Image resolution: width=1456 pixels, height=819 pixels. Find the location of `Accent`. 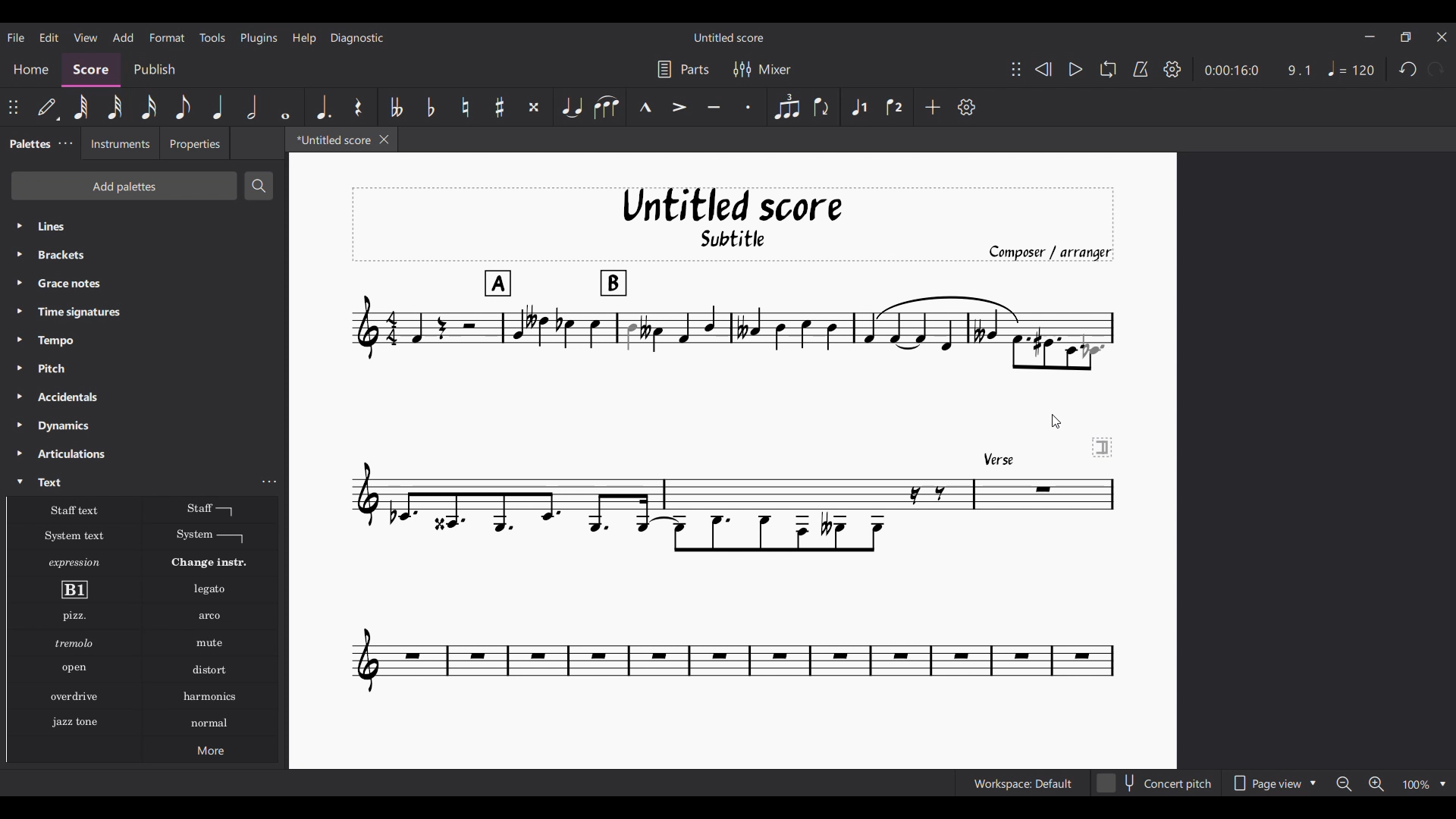

Accent is located at coordinates (679, 107).